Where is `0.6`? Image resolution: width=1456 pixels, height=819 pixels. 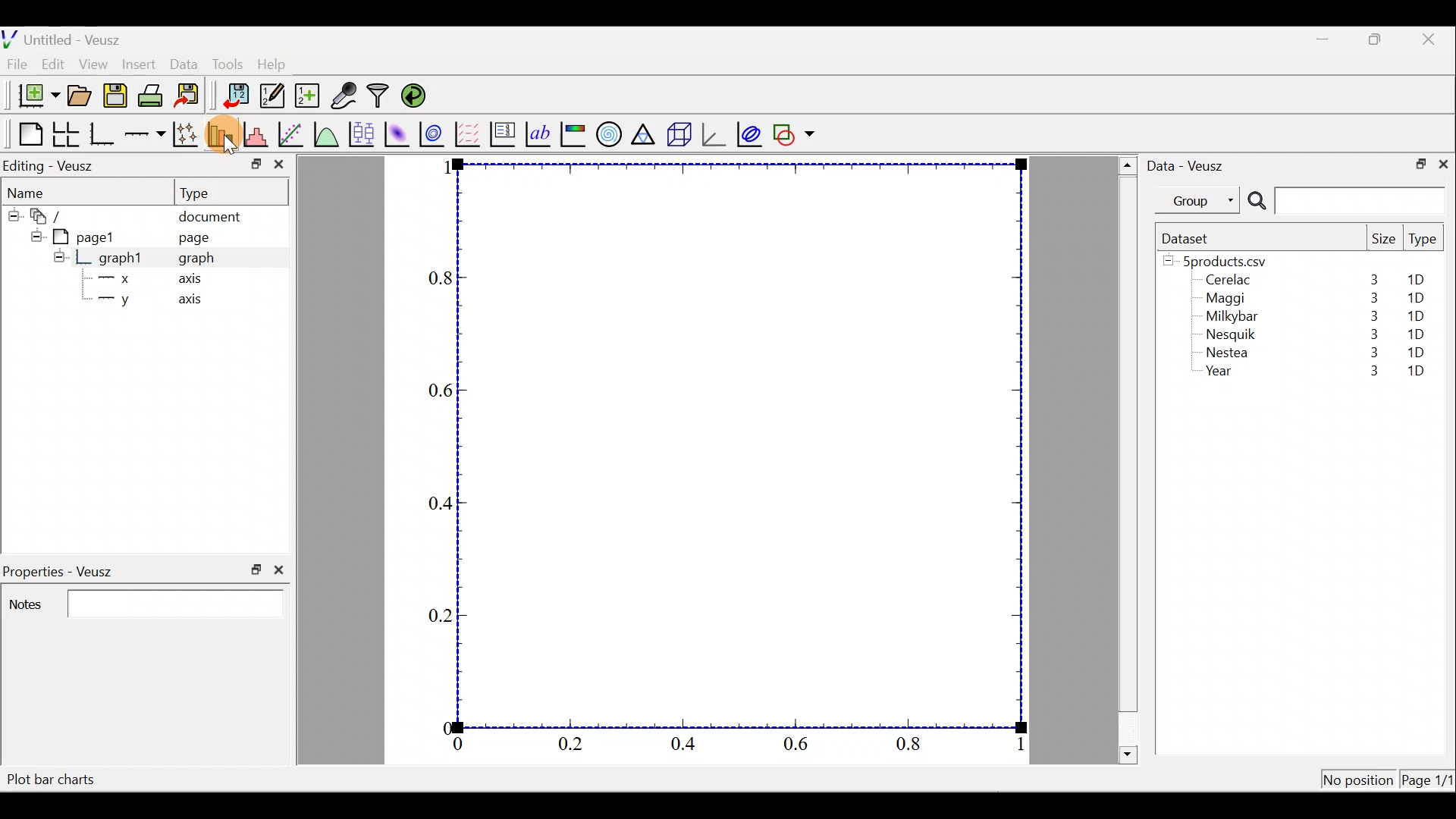 0.6 is located at coordinates (802, 748).